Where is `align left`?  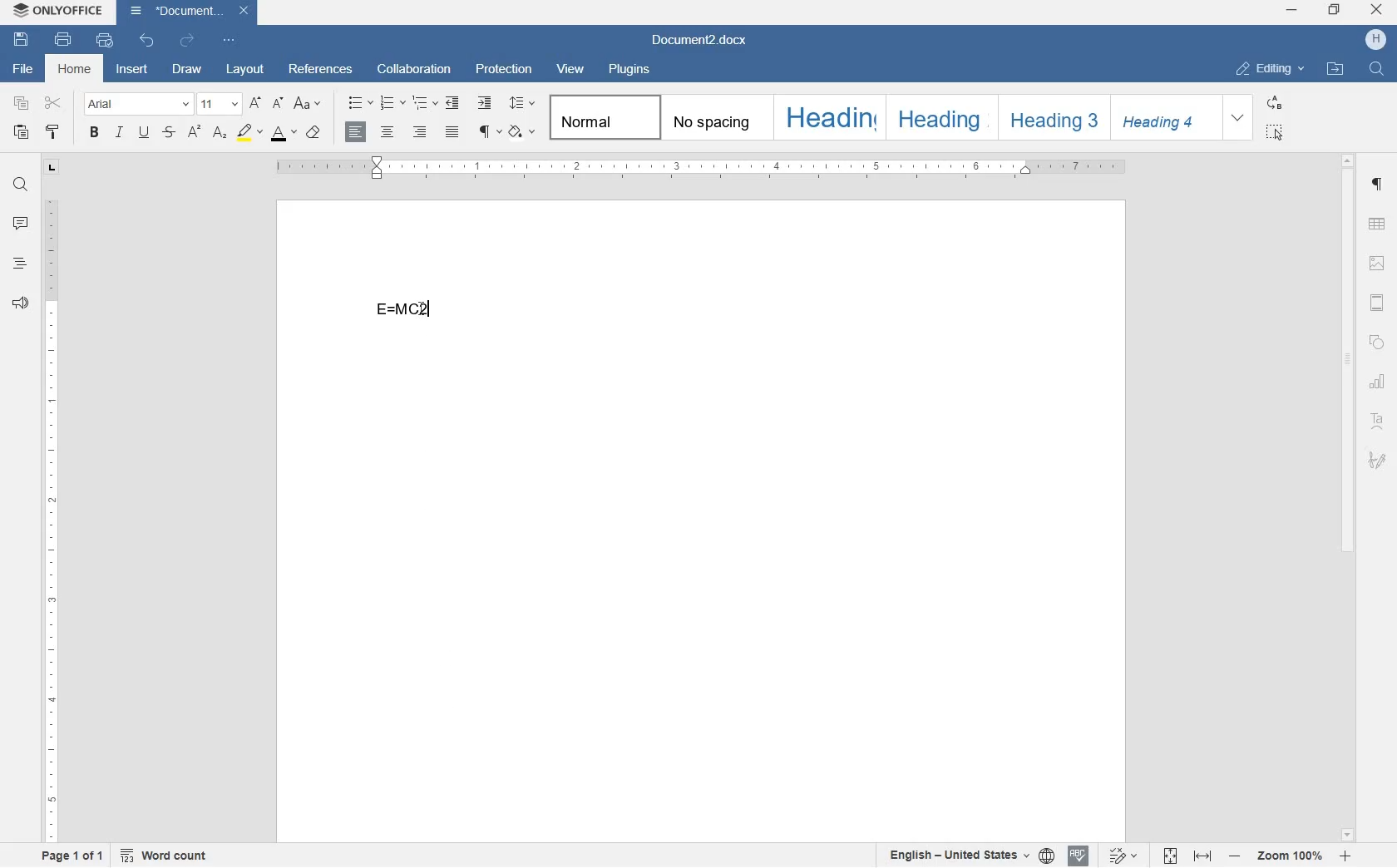
align left is located at coordinates (355, 131).